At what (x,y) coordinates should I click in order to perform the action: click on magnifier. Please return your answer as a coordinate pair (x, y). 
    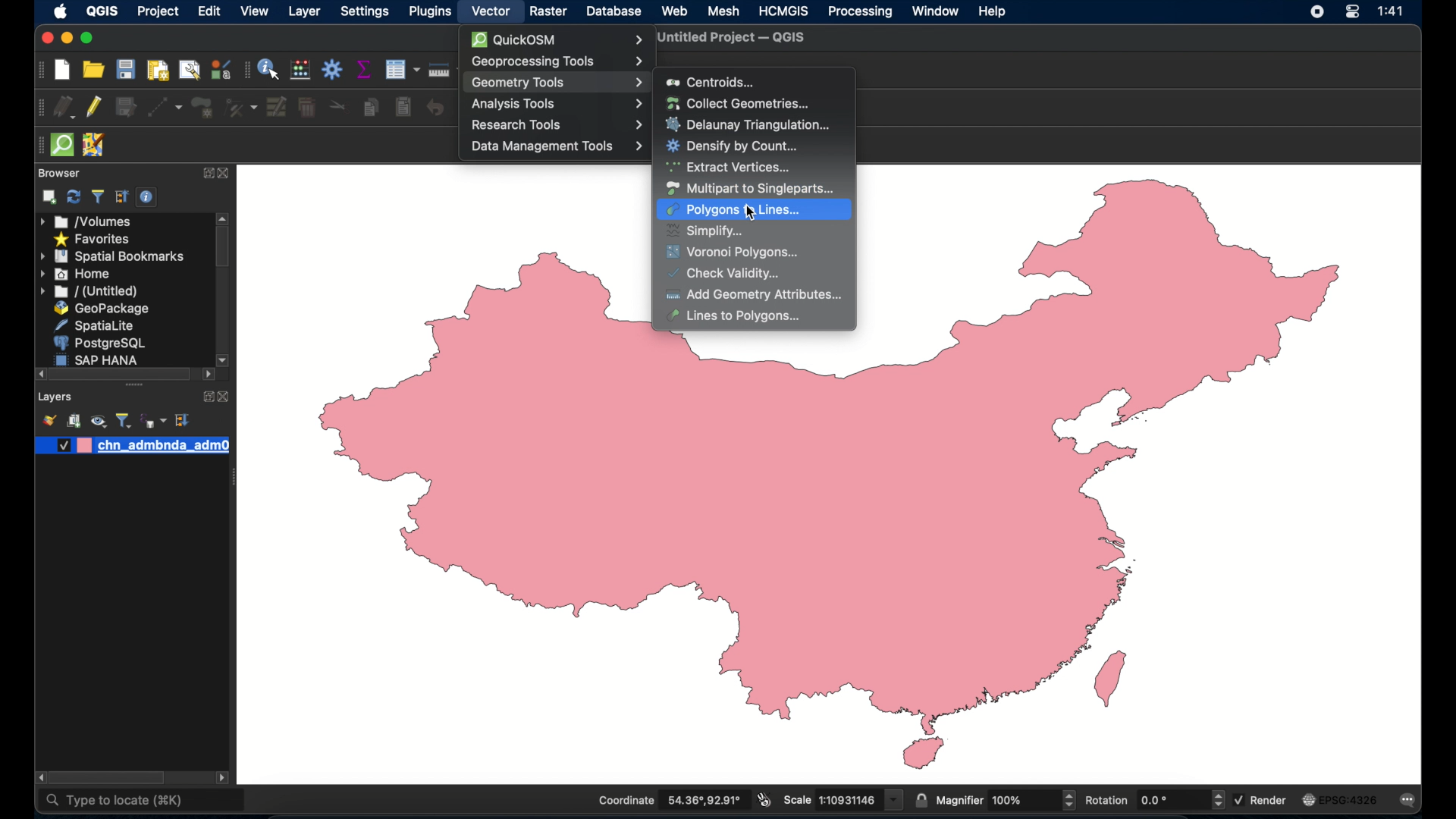
    Looking at the image, I should click on (1006, 799).